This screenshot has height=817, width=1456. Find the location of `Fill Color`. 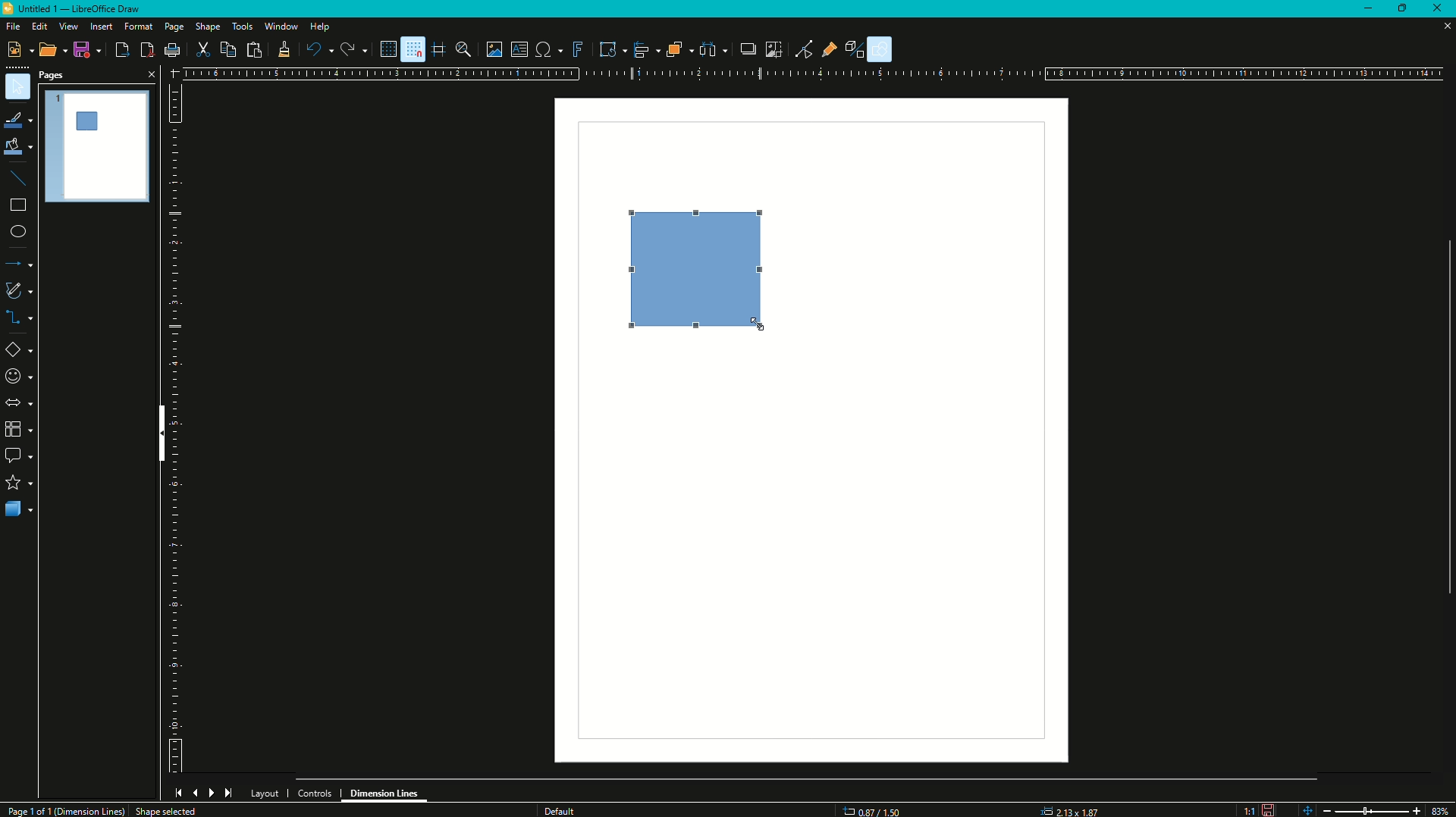

Fill Color is located at coordinates (18, 147).